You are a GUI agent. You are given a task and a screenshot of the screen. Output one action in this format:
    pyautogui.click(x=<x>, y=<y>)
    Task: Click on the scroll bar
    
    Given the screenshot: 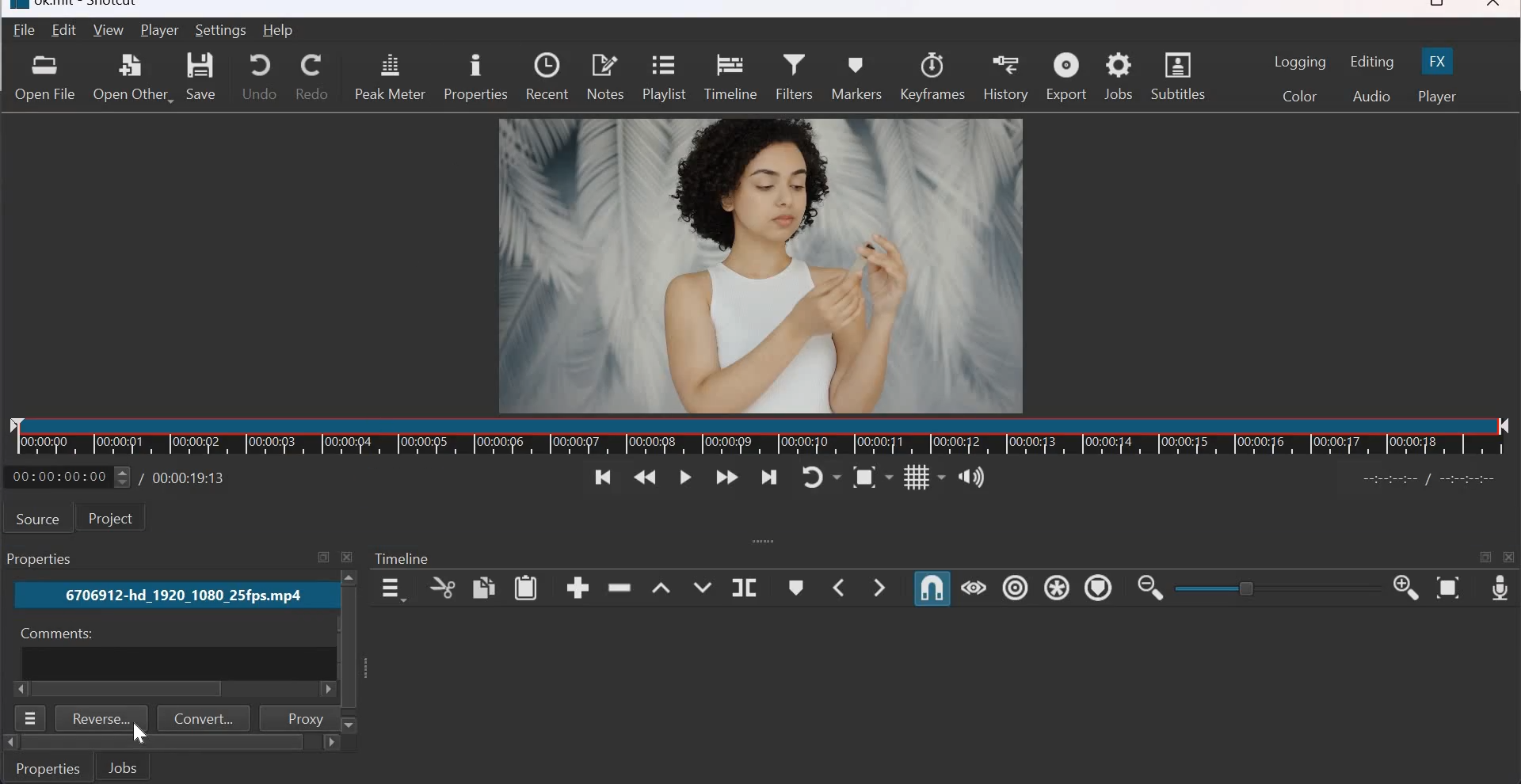 What is the action you would take?
    pyautogui.click(x=163, y=743)
    